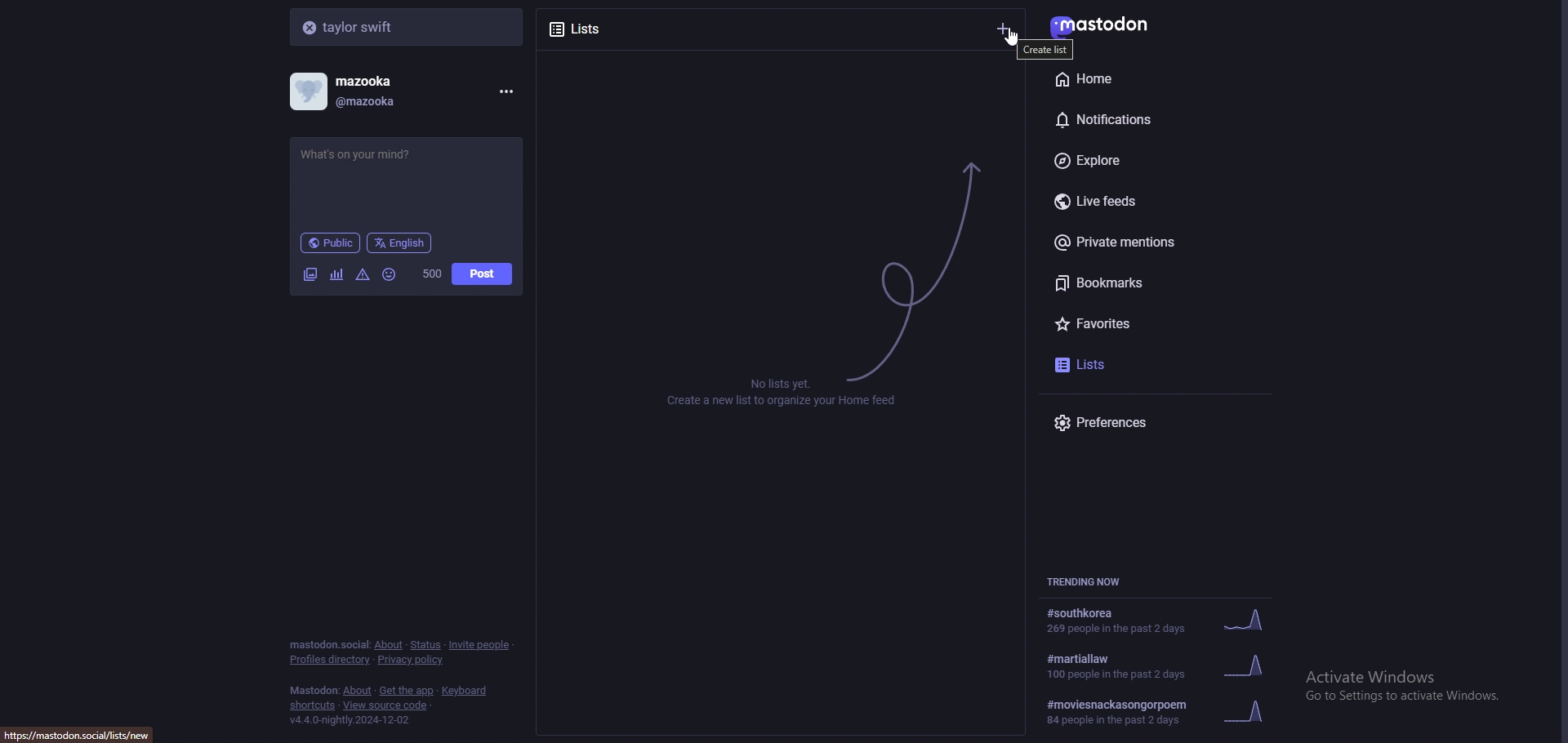 This screenshot has width=1568, height=743. I want to click on mastodon, so click(1111, 24).